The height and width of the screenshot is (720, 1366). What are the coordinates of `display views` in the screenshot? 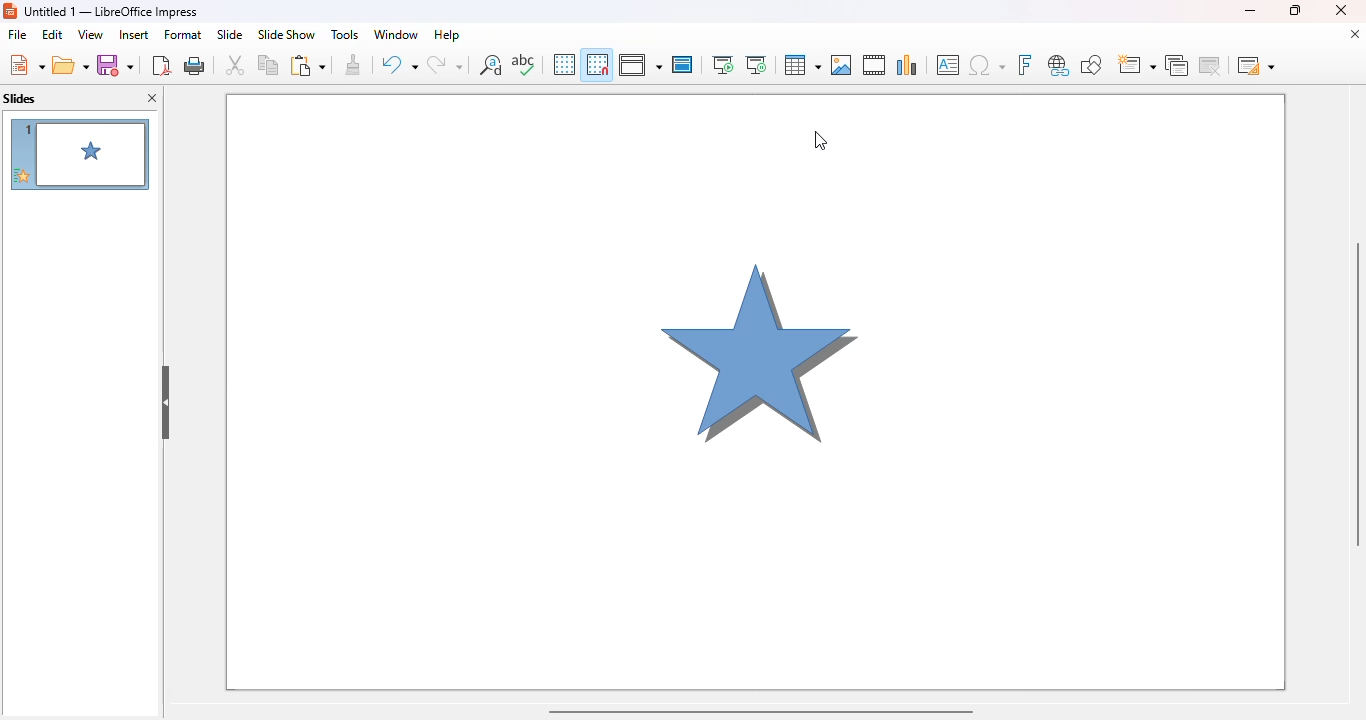 It's located at (639, 64).